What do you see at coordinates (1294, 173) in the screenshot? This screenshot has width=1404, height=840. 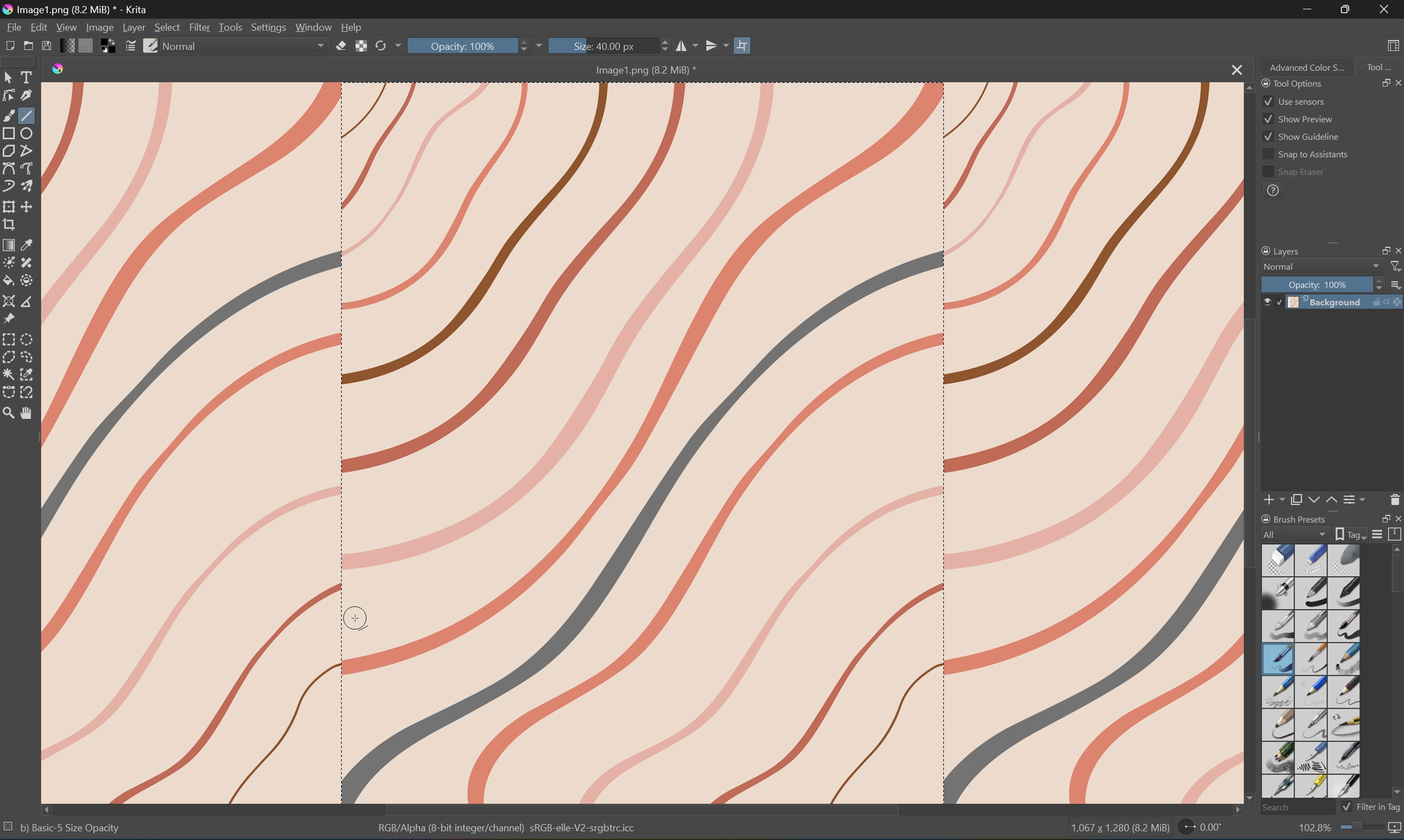 I see `Snap erasor` at bounding box center [1294, 173].